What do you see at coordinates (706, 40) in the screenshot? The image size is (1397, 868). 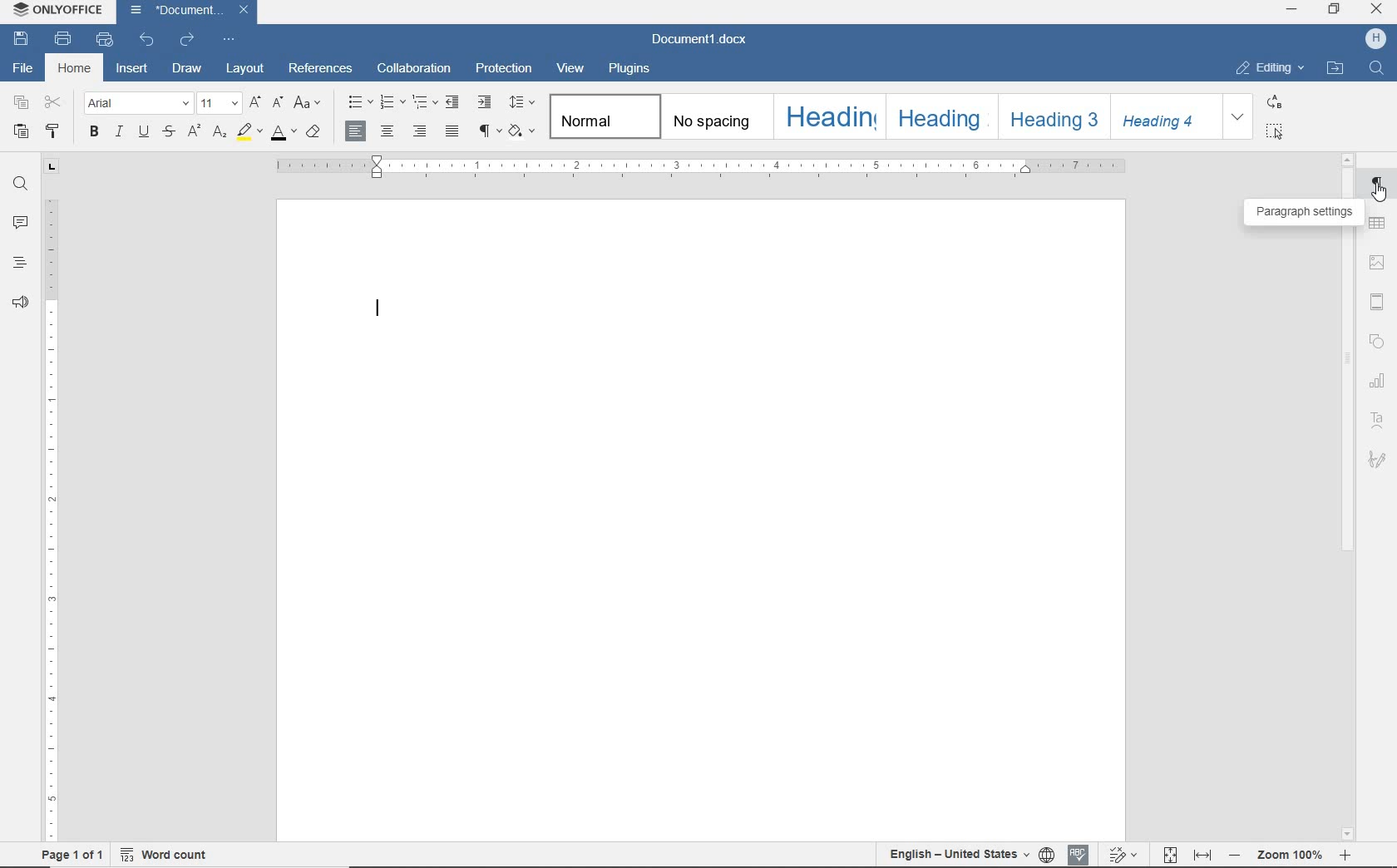 I see `Document1.docx(document name)` at bounding box center [706, 40].